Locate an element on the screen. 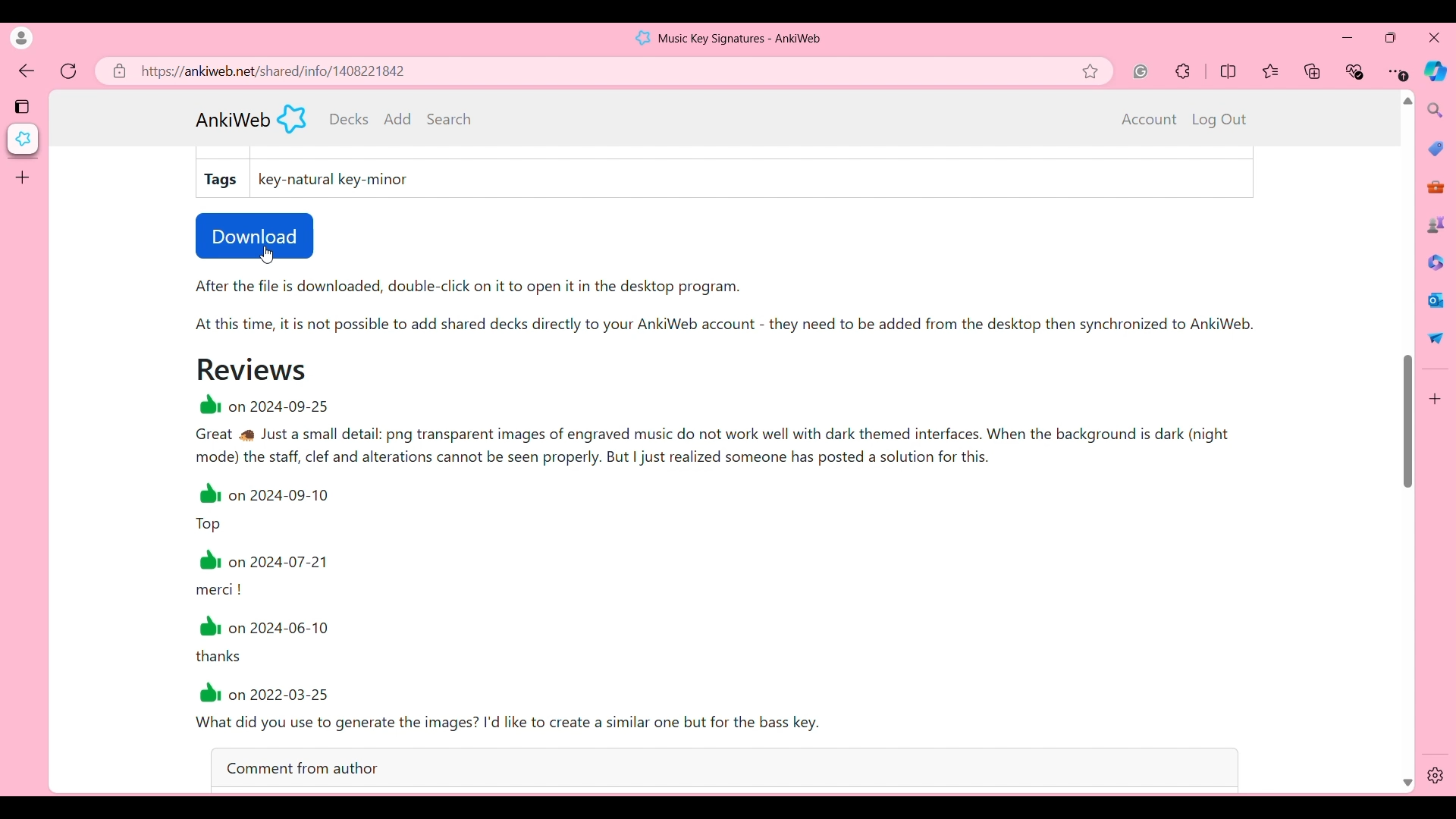 The image size is (1456, 819). Tab actions menu is located at coordinates (24, 105).